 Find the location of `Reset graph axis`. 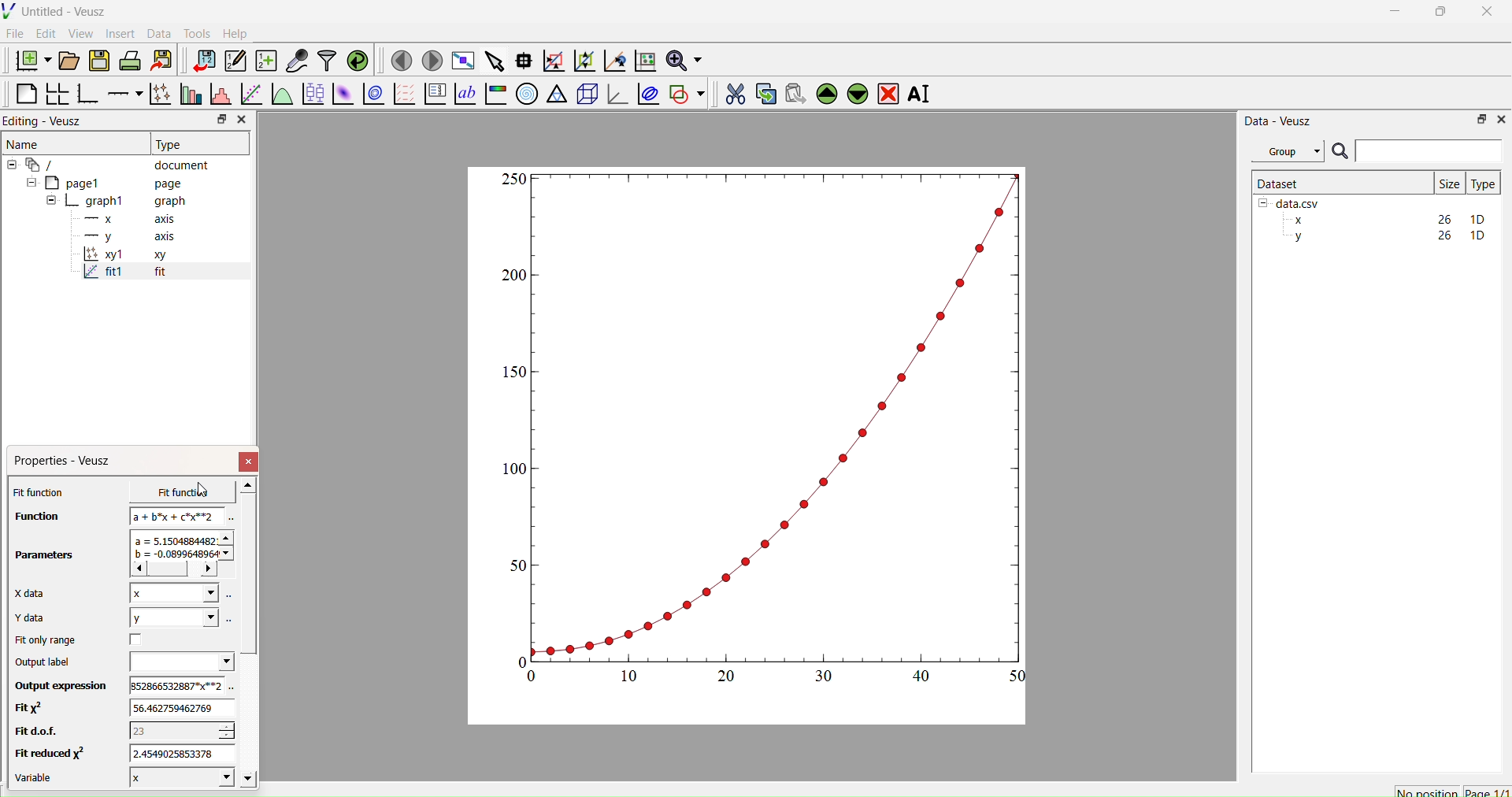

Reset graph axis is located at coordinates (643, 60).